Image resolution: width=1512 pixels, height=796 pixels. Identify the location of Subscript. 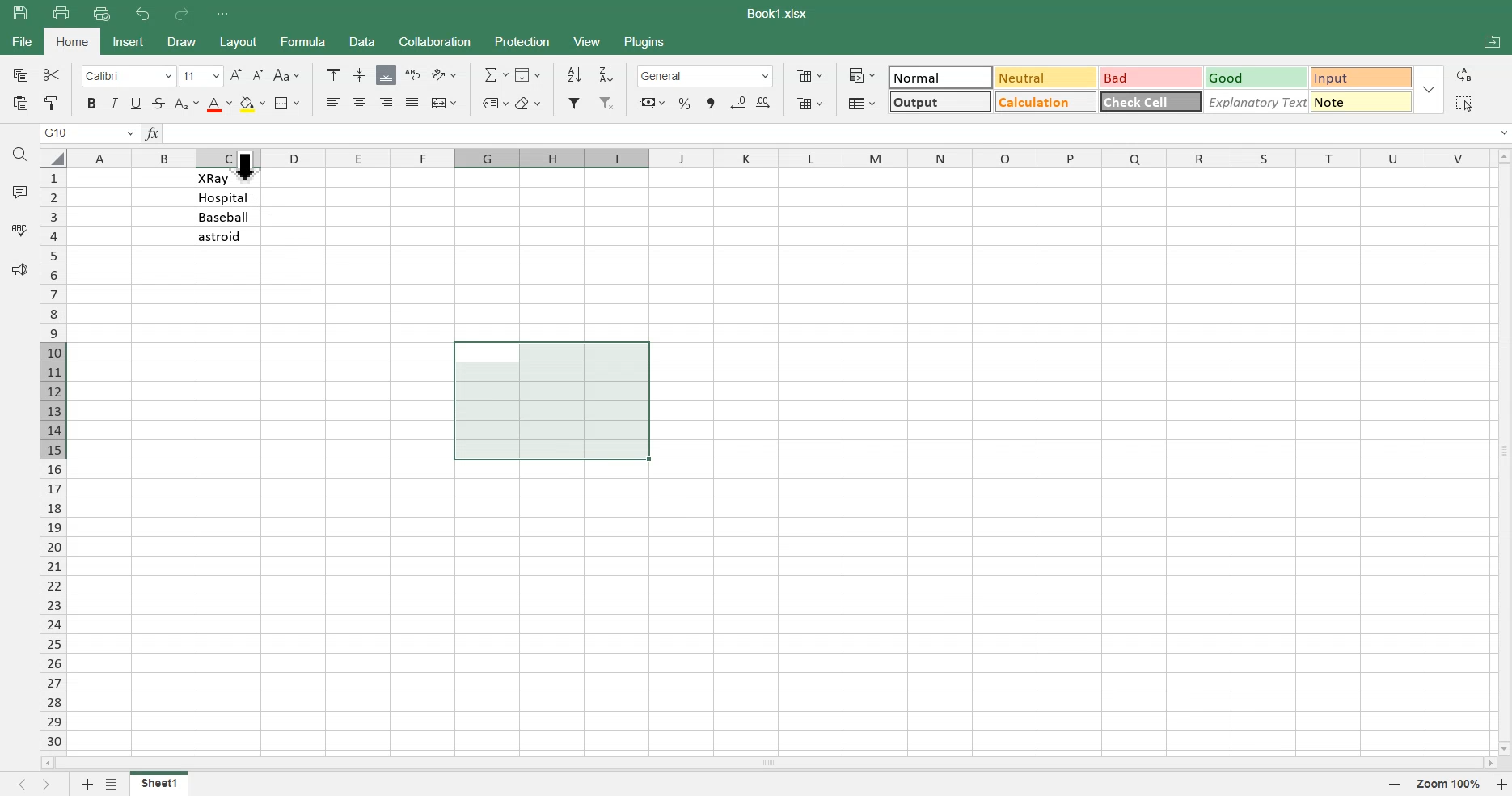
(186, 103).